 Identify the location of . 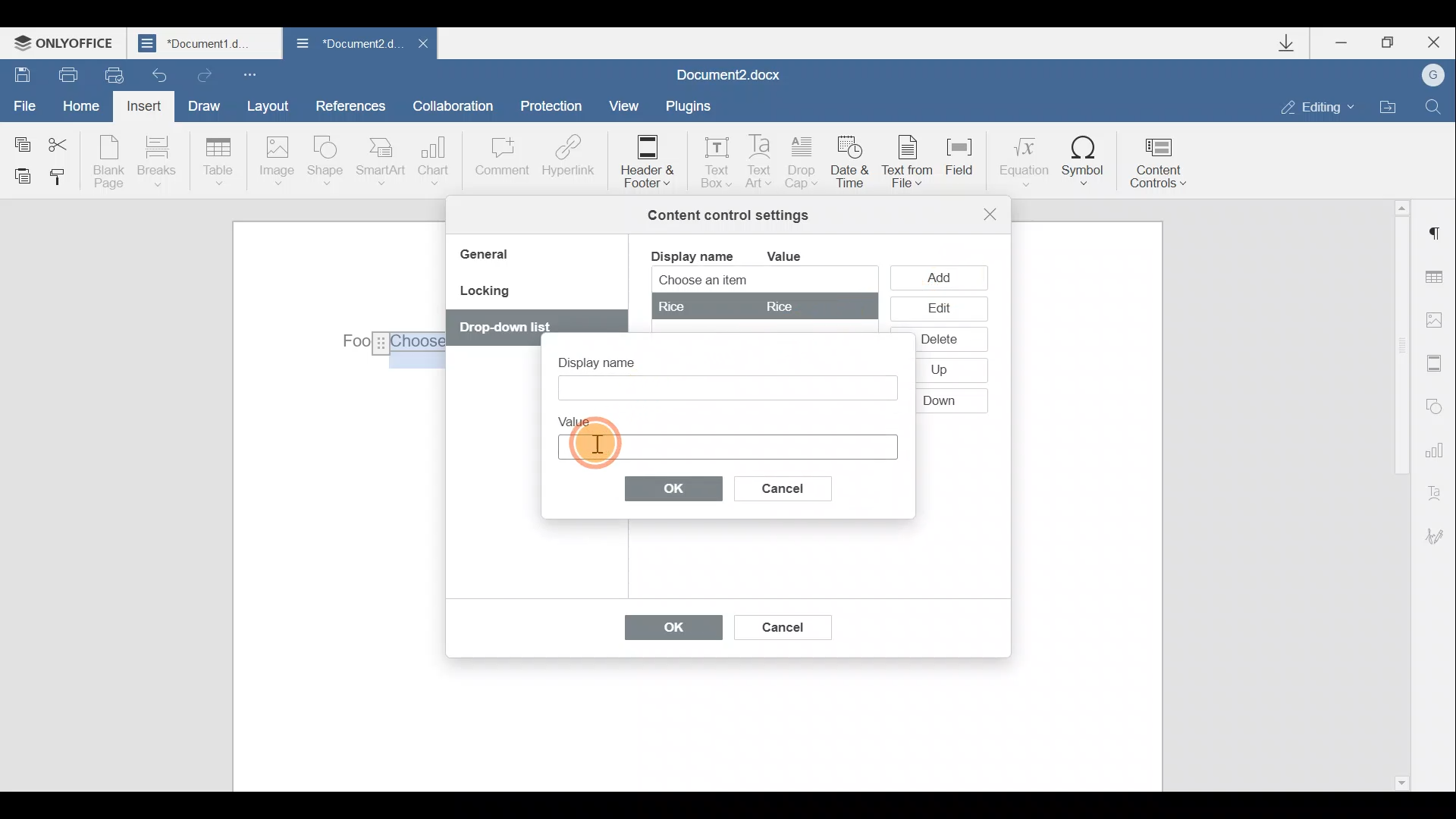
(394, 344).